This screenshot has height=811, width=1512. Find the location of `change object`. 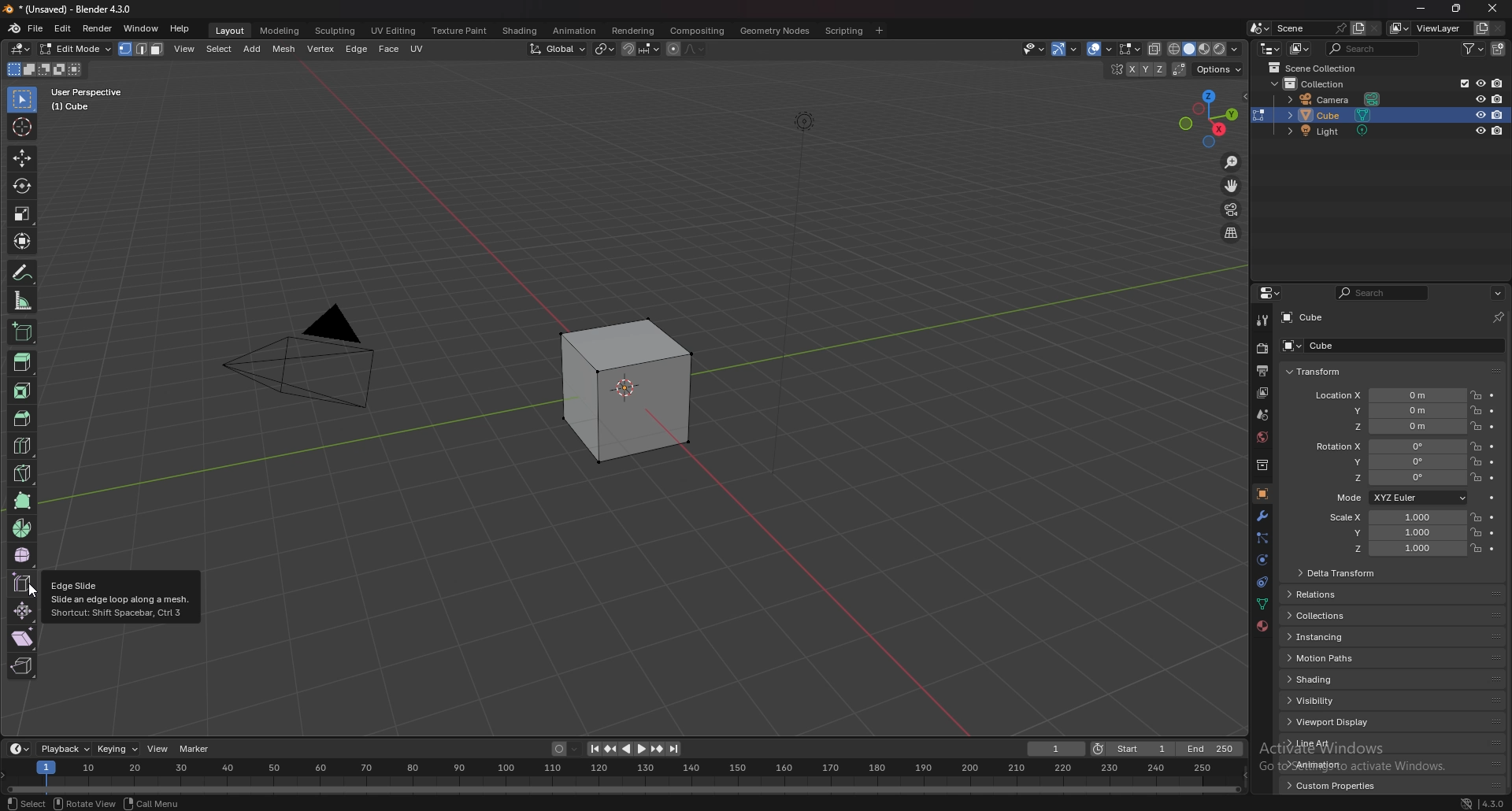

change object is located at coordinates (1258, 115).